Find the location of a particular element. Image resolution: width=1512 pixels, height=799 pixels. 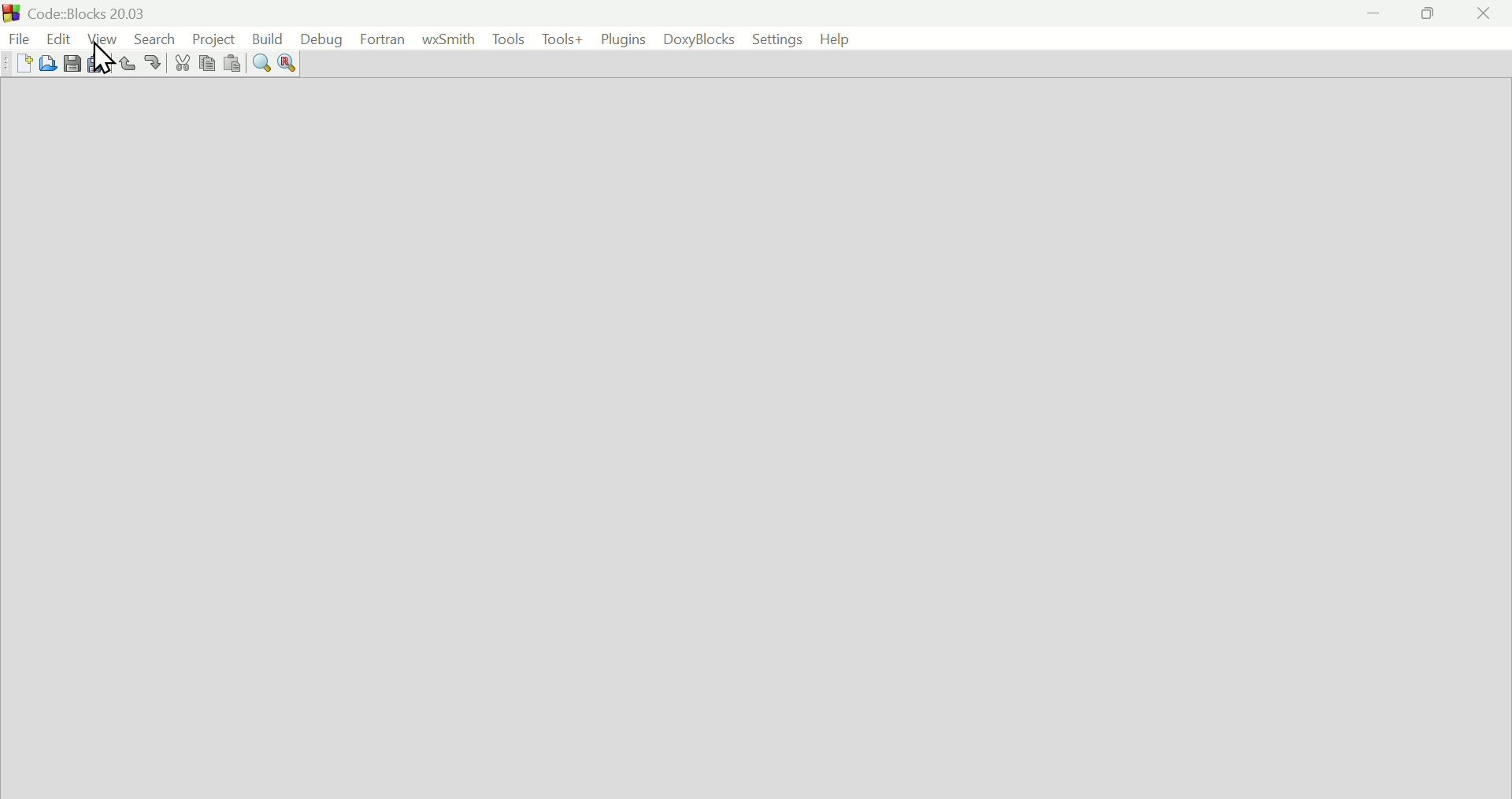

Default Start Screen is located at coordinates (755, 438).